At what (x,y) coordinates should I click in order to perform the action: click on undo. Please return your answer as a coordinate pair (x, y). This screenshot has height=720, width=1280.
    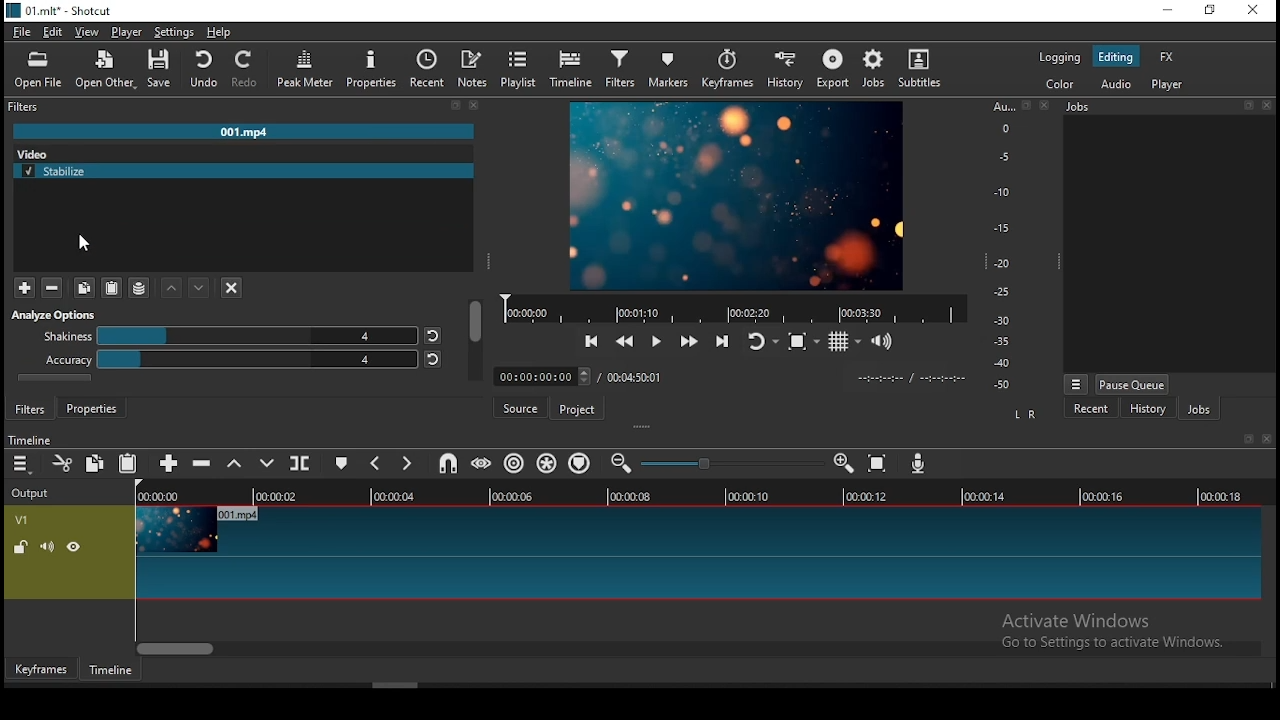
    Looking at the image, I should click on (208, 70).